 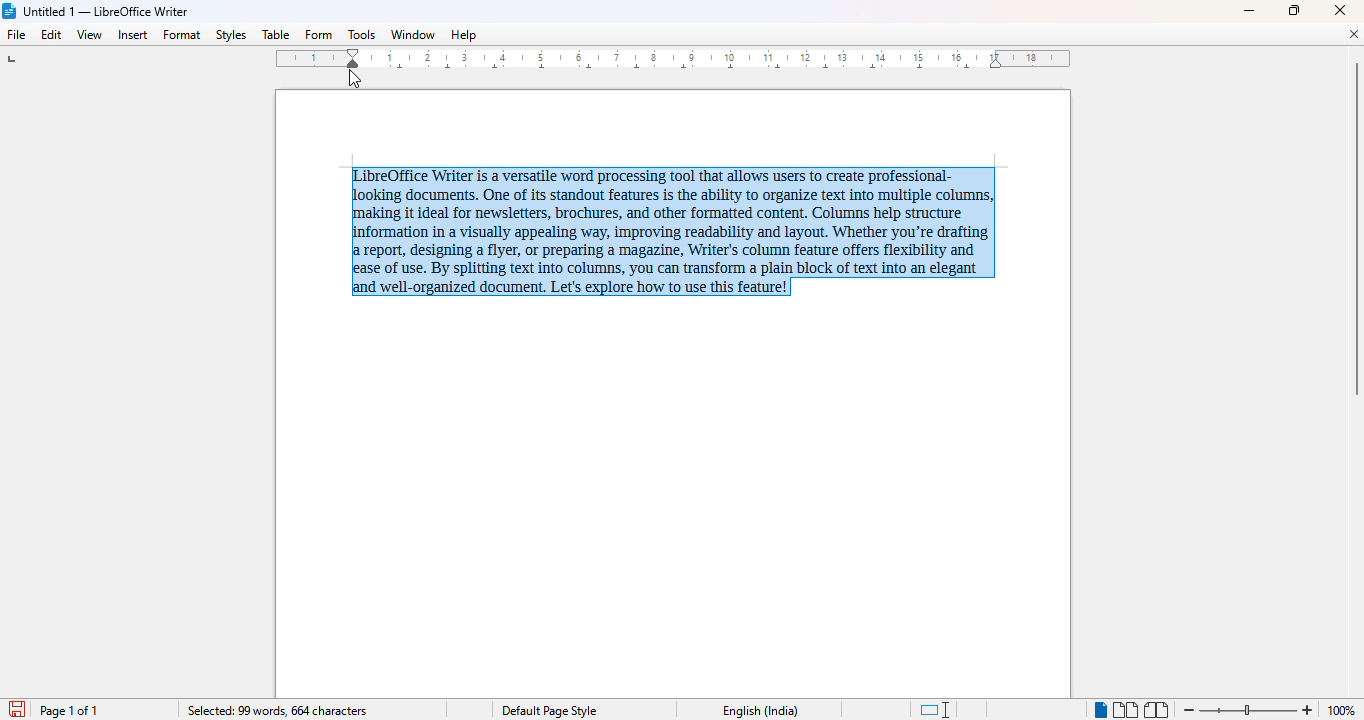 What do you see at coordinates (107, 12) in the screenshot?
I see `Untitled 1 -- LibreOffice Writer` at bounding box center [107, 12].